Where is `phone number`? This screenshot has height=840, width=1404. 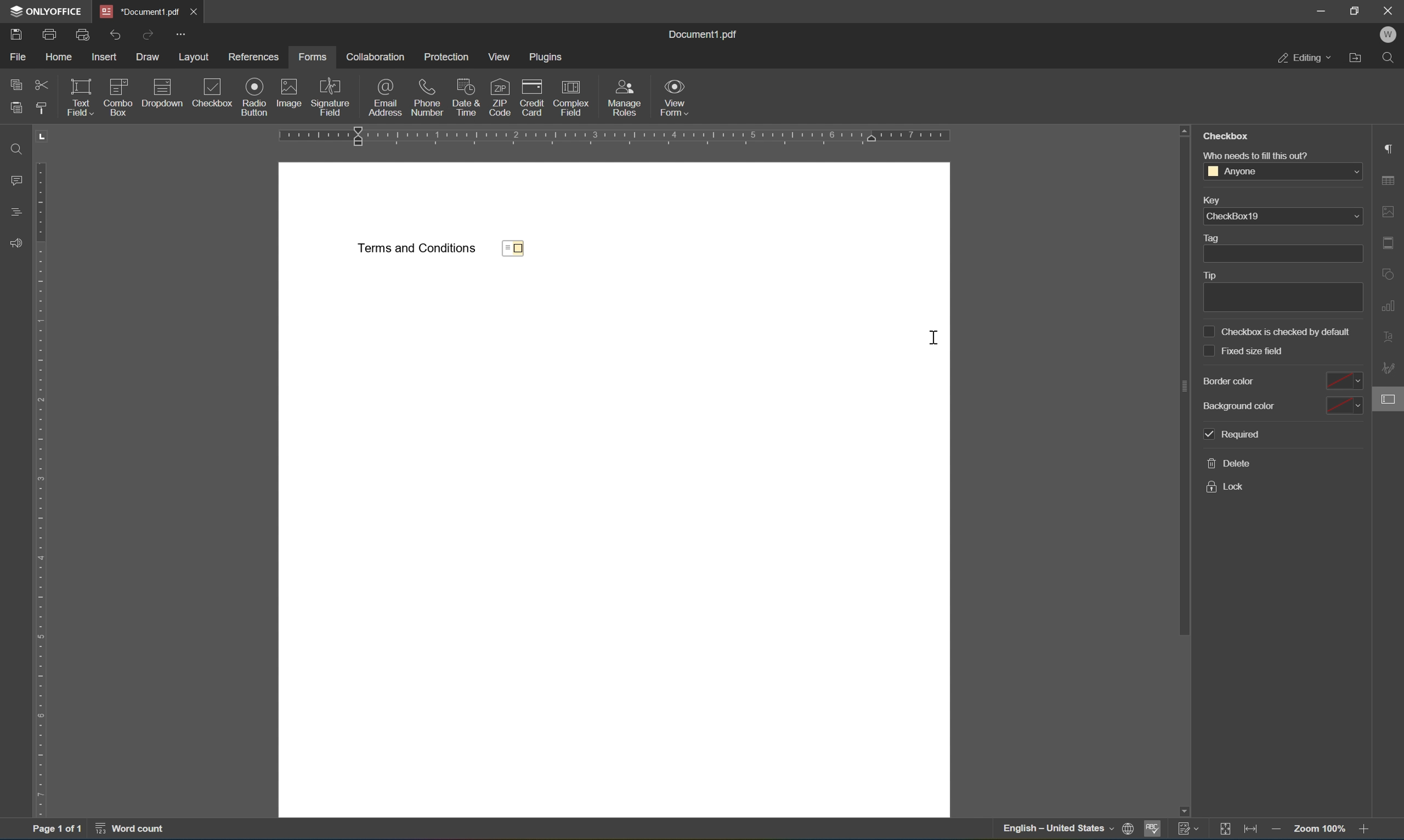
phone number is located at coordinates (427, 97).